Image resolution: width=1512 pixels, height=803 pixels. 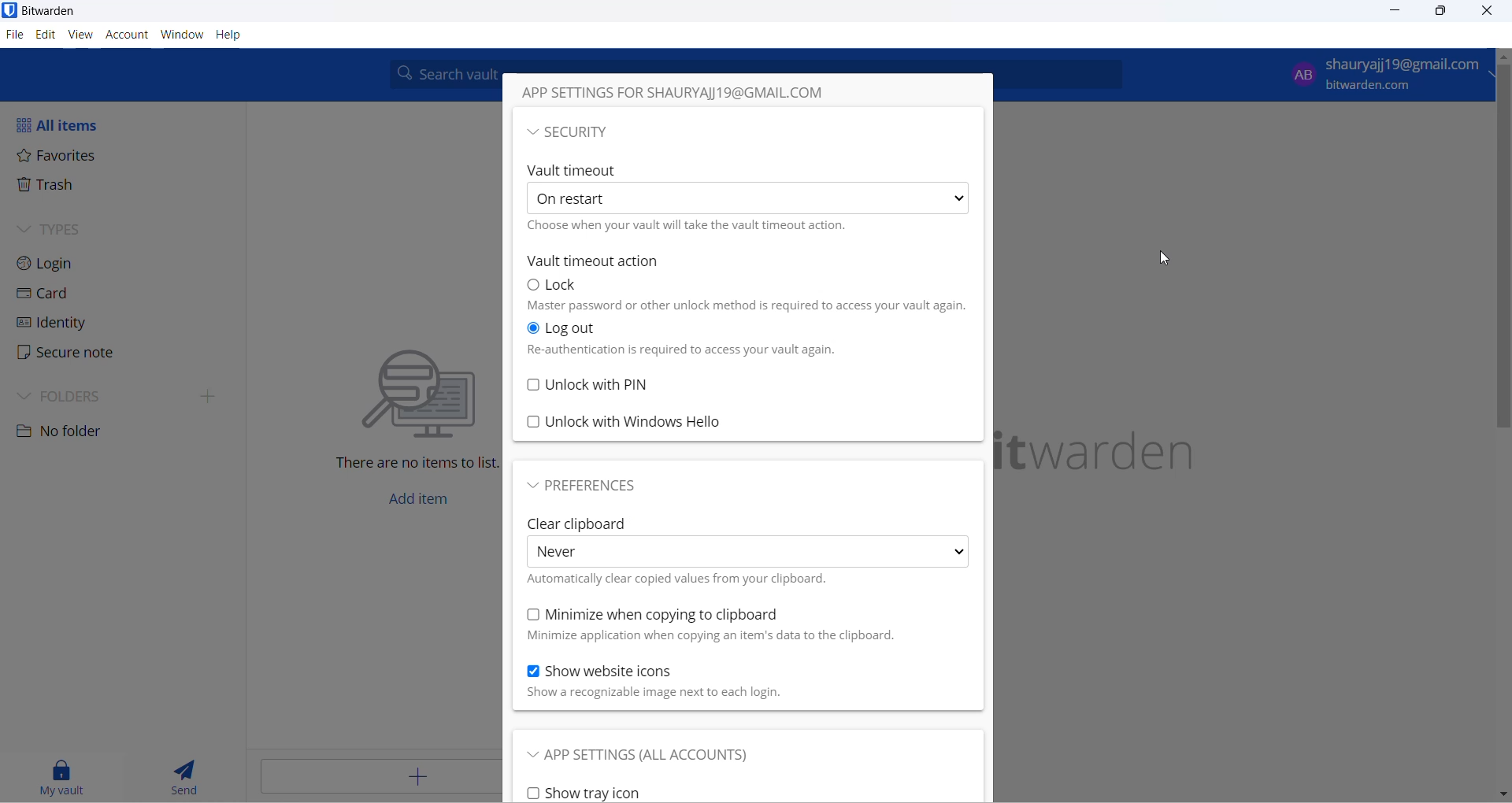 What do you see at coordinates (740, 417) in the screenshot?
I see `unlock with windows hello` at bounding box center [740, 417].